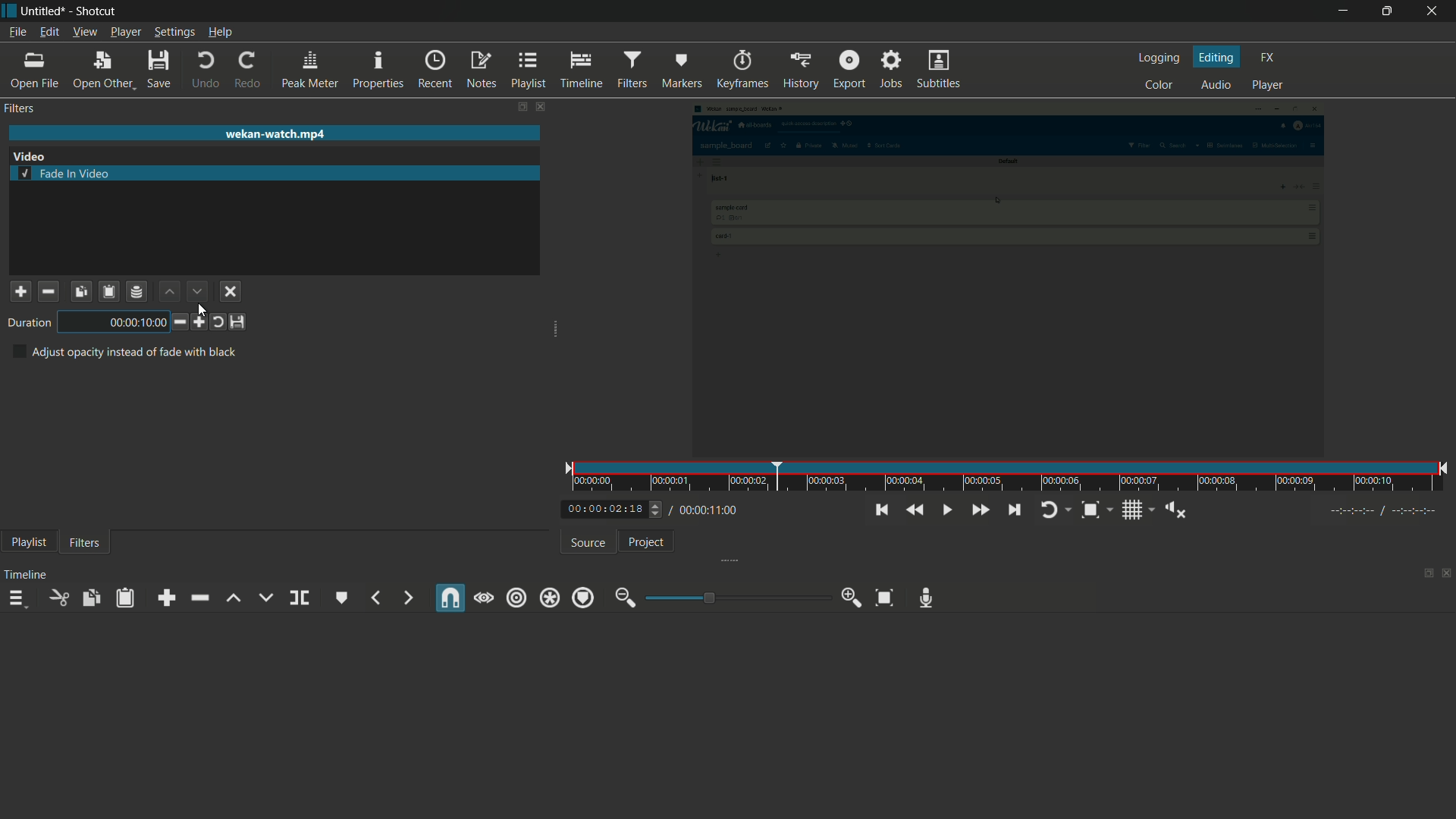 The height and width of the screenshot is (819, 1456). Describe the element at coordinates (20, 108) in the screenshot. I see `filters` at that location.